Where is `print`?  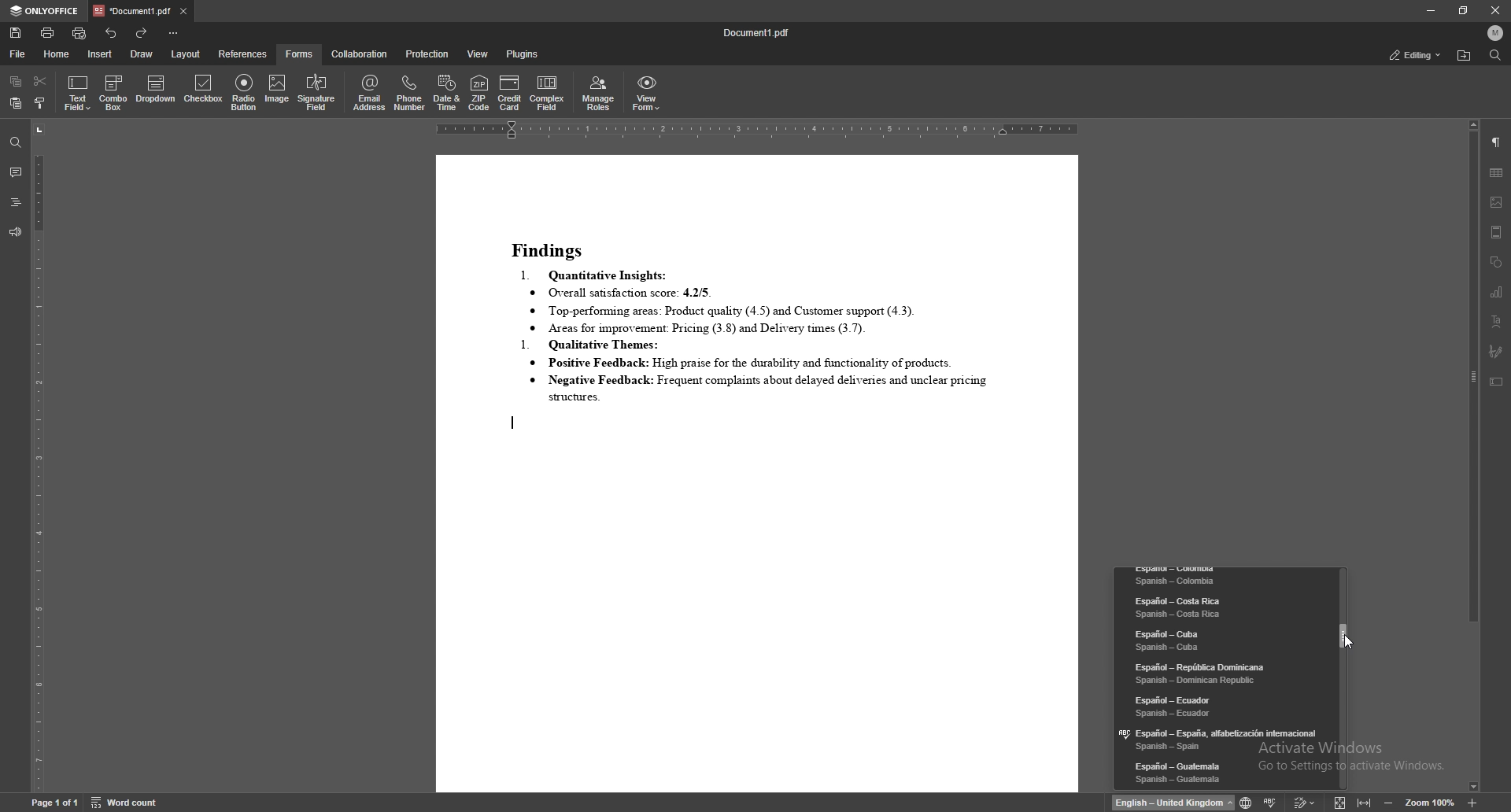 print is located at coordinates (48, 32).